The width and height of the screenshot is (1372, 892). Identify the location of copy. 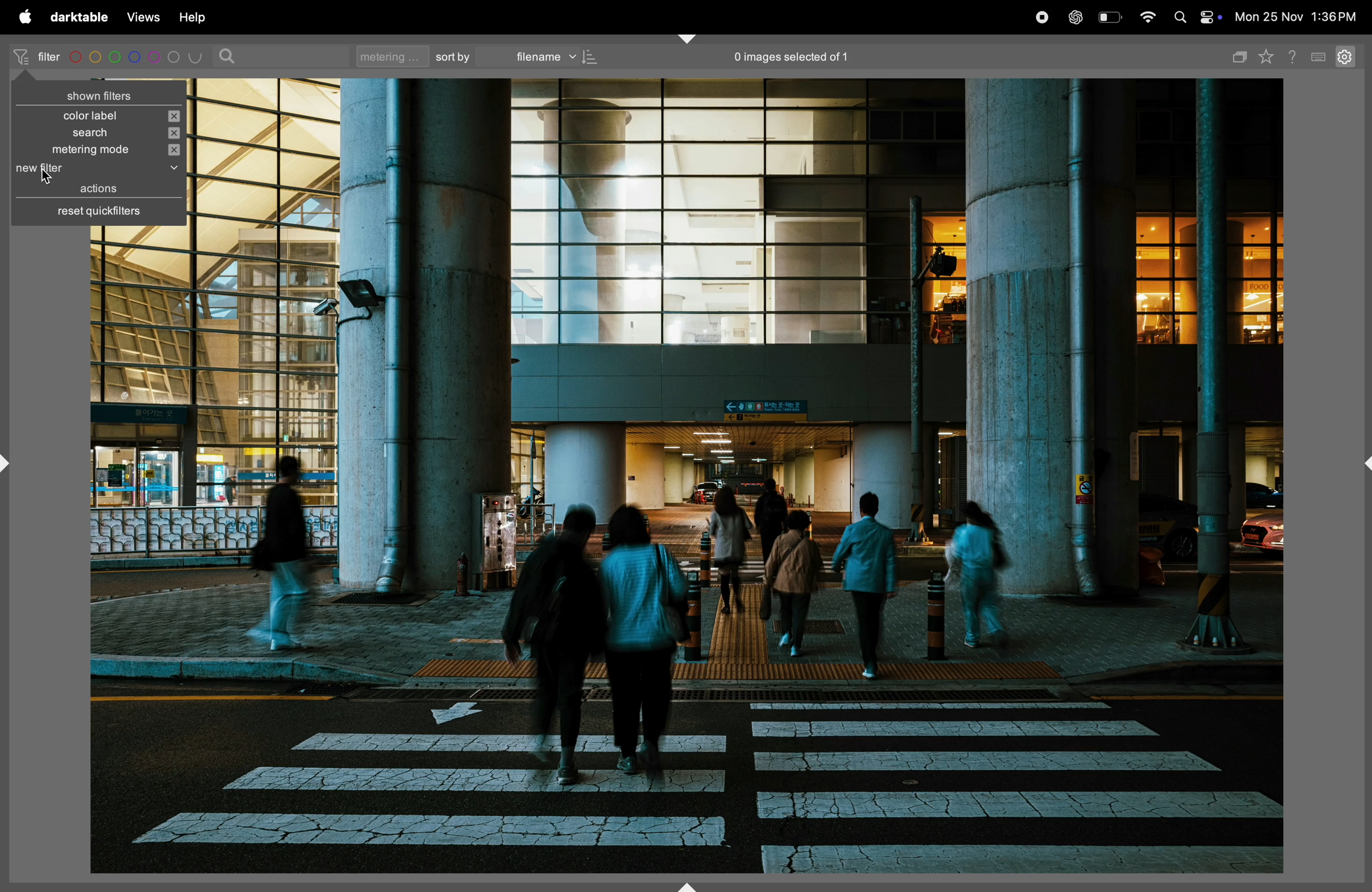
(1240, 55).